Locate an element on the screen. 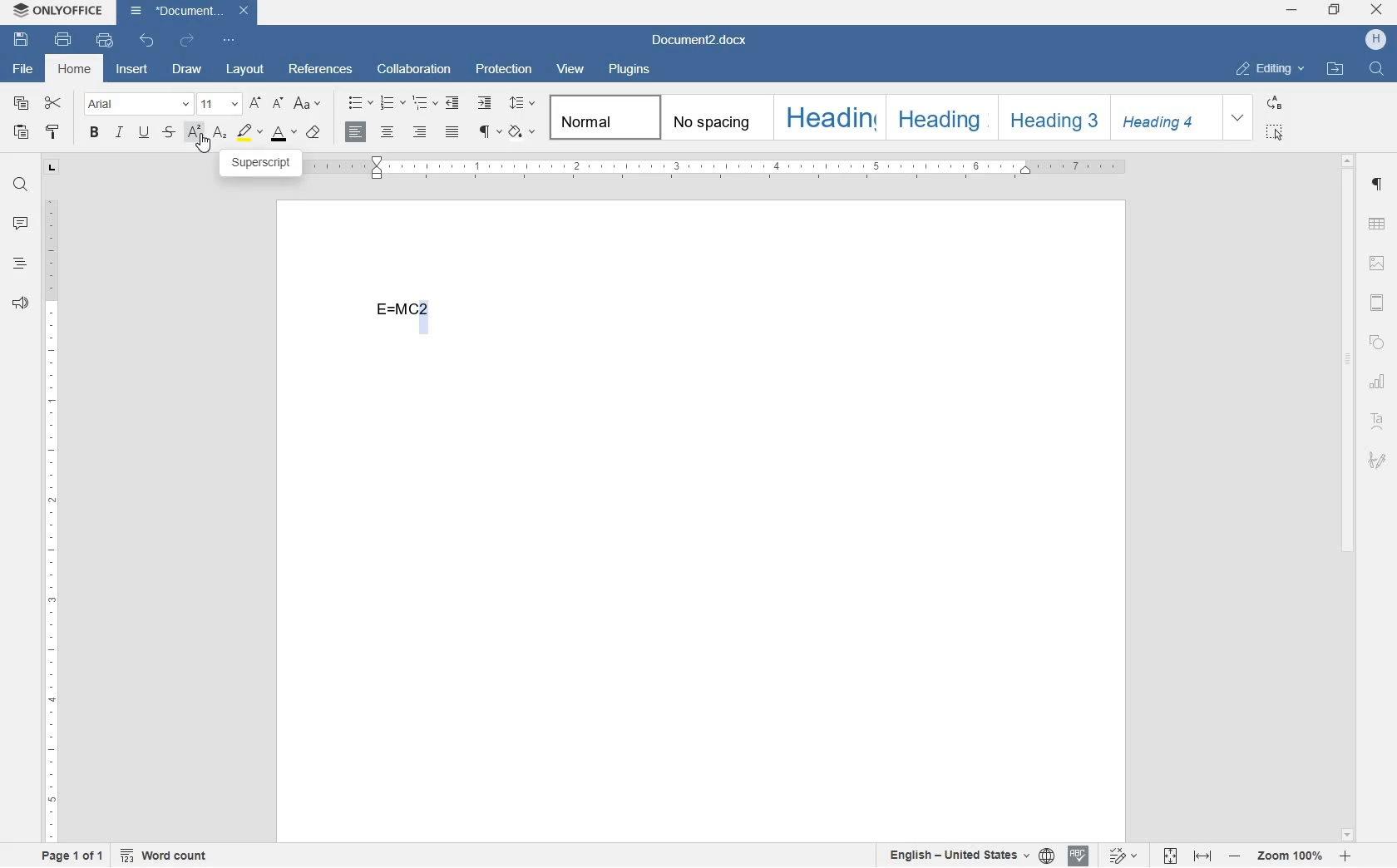  zoom in or zoom out is located at coordinates (1287, 857).